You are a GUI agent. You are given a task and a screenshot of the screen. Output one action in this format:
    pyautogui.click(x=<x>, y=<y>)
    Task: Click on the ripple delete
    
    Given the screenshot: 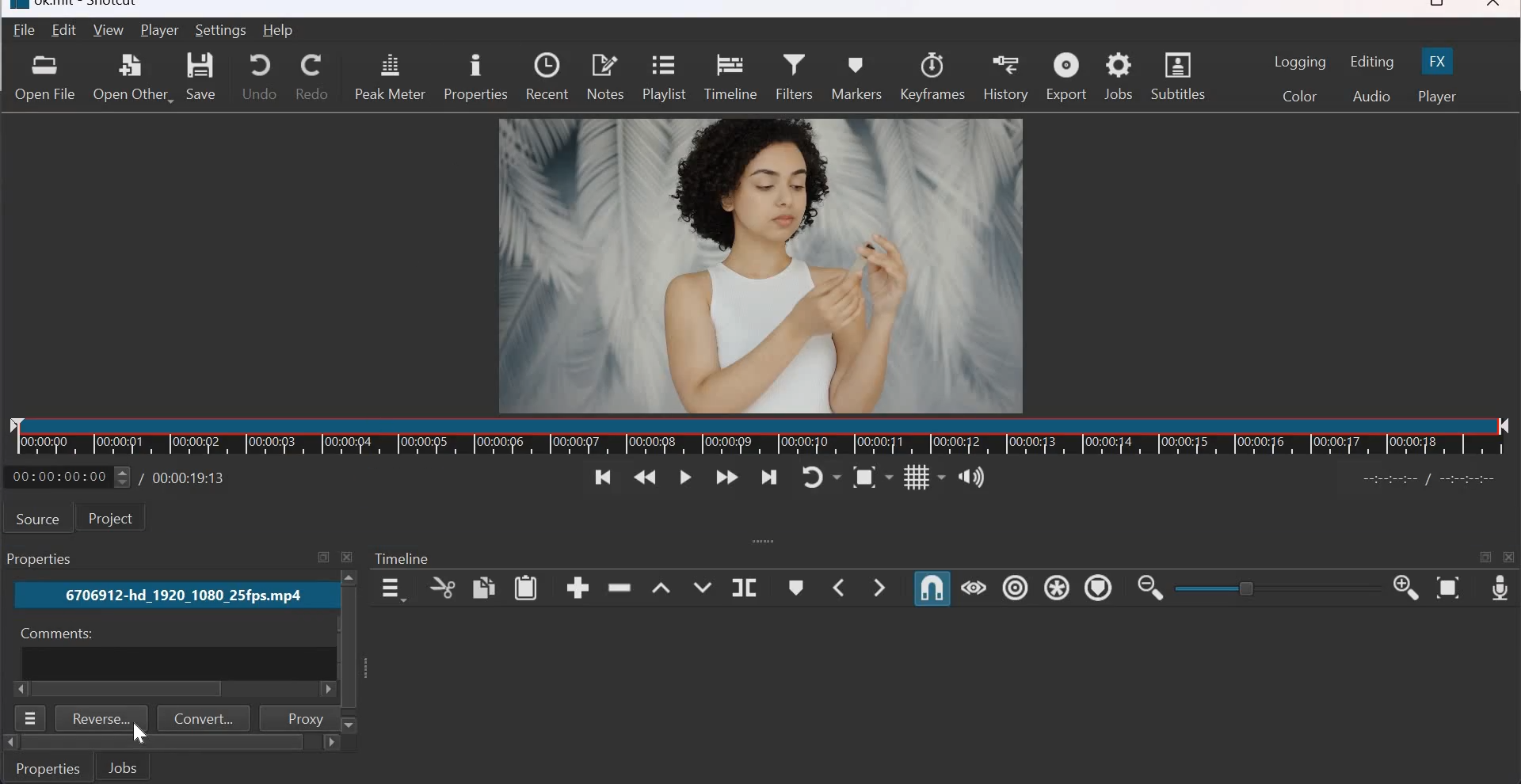 What is the action you would take?
    pyautogui.click(x=621, y=588)
    